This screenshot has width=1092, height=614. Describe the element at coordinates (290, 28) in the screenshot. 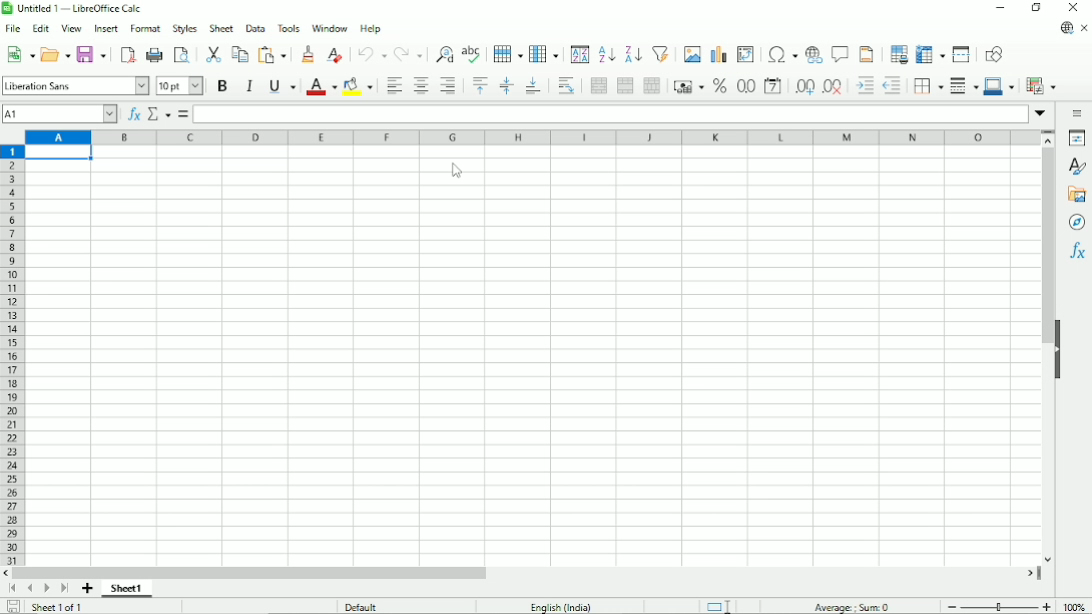

I see `Tools` at that location.